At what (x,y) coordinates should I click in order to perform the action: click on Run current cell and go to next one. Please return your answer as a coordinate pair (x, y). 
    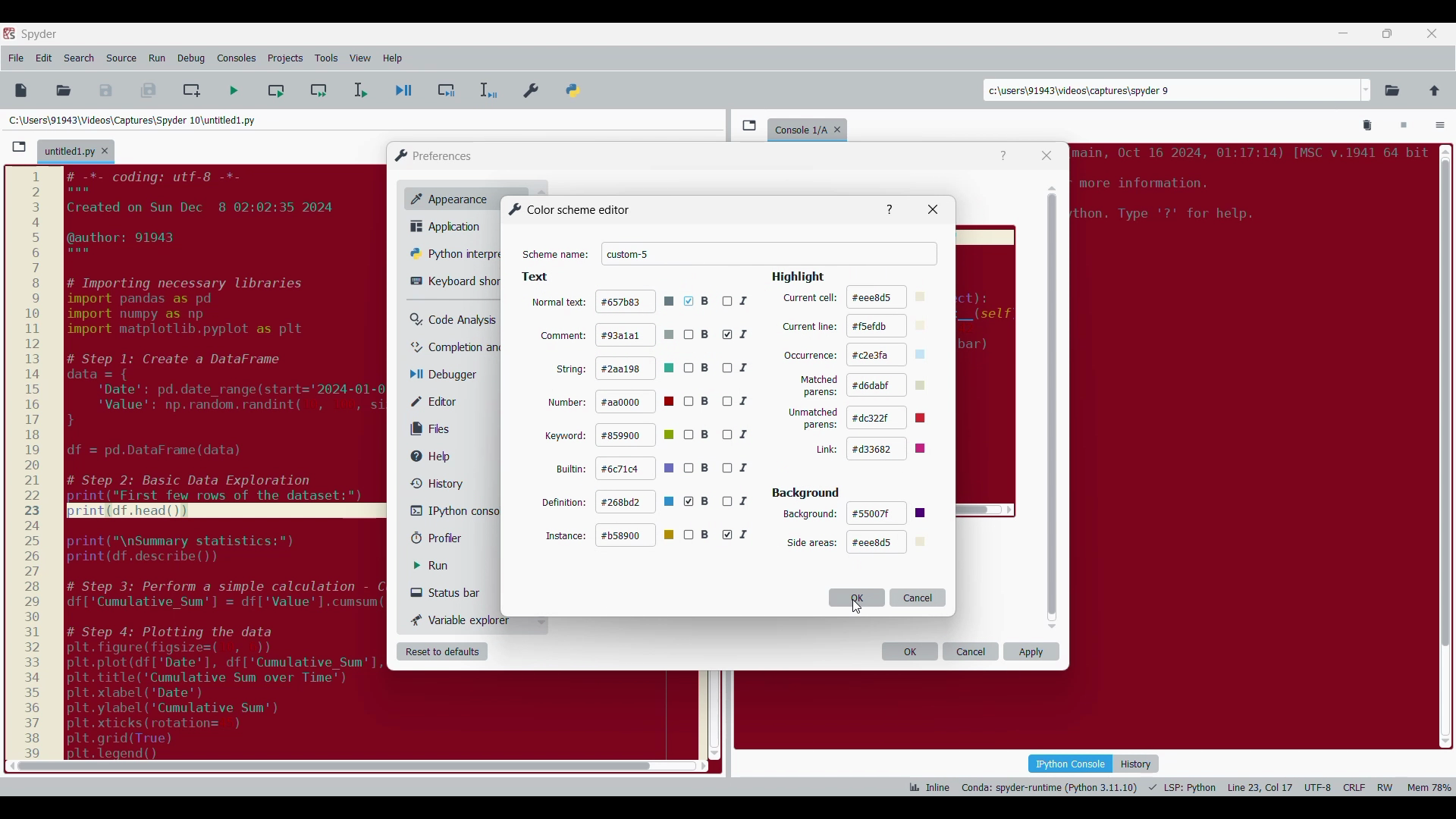
    Looking at the image, I should click on (318, 90).